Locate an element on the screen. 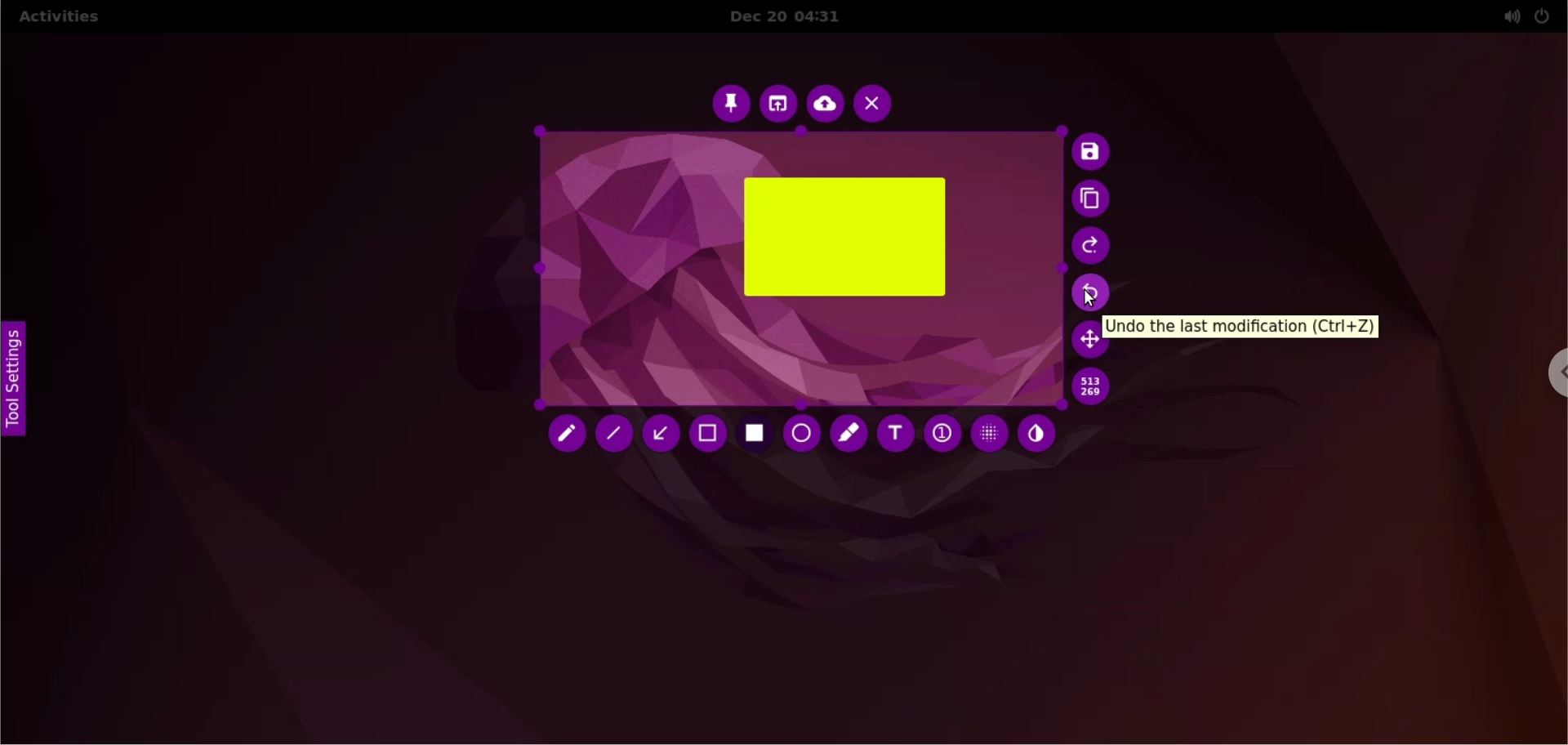 This screenshot has height=745, width=1568. copy to clipboard is located at coordinates (1094, 200).